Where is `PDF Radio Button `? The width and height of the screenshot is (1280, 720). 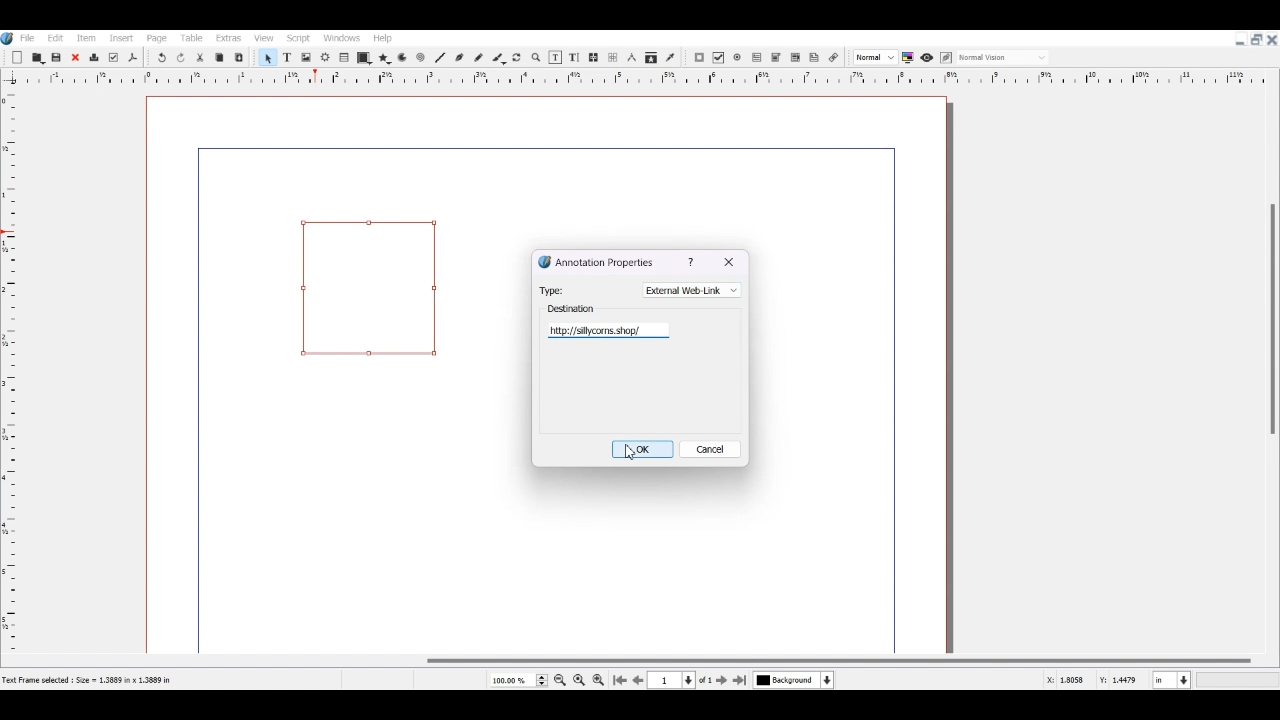
PDF Radio Button  is located at coordinates (739, 58).